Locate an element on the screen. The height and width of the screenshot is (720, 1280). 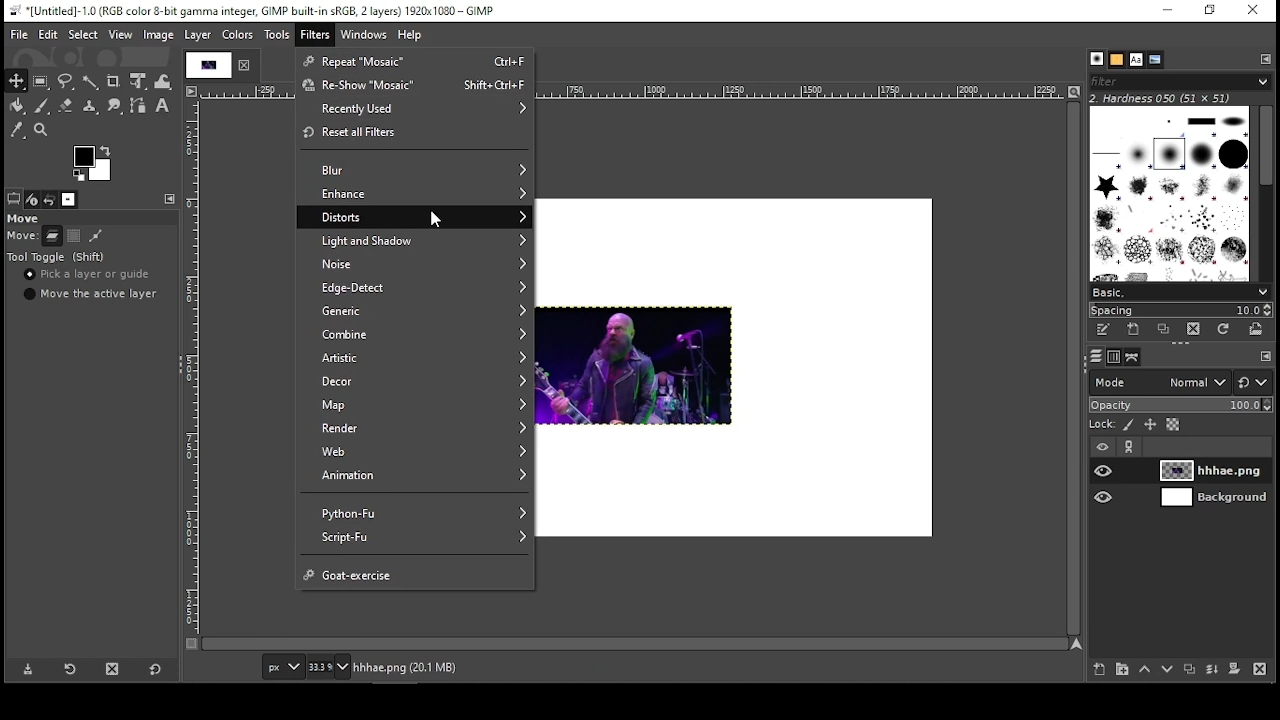
add a mask is located at coordinates (1236, 672).